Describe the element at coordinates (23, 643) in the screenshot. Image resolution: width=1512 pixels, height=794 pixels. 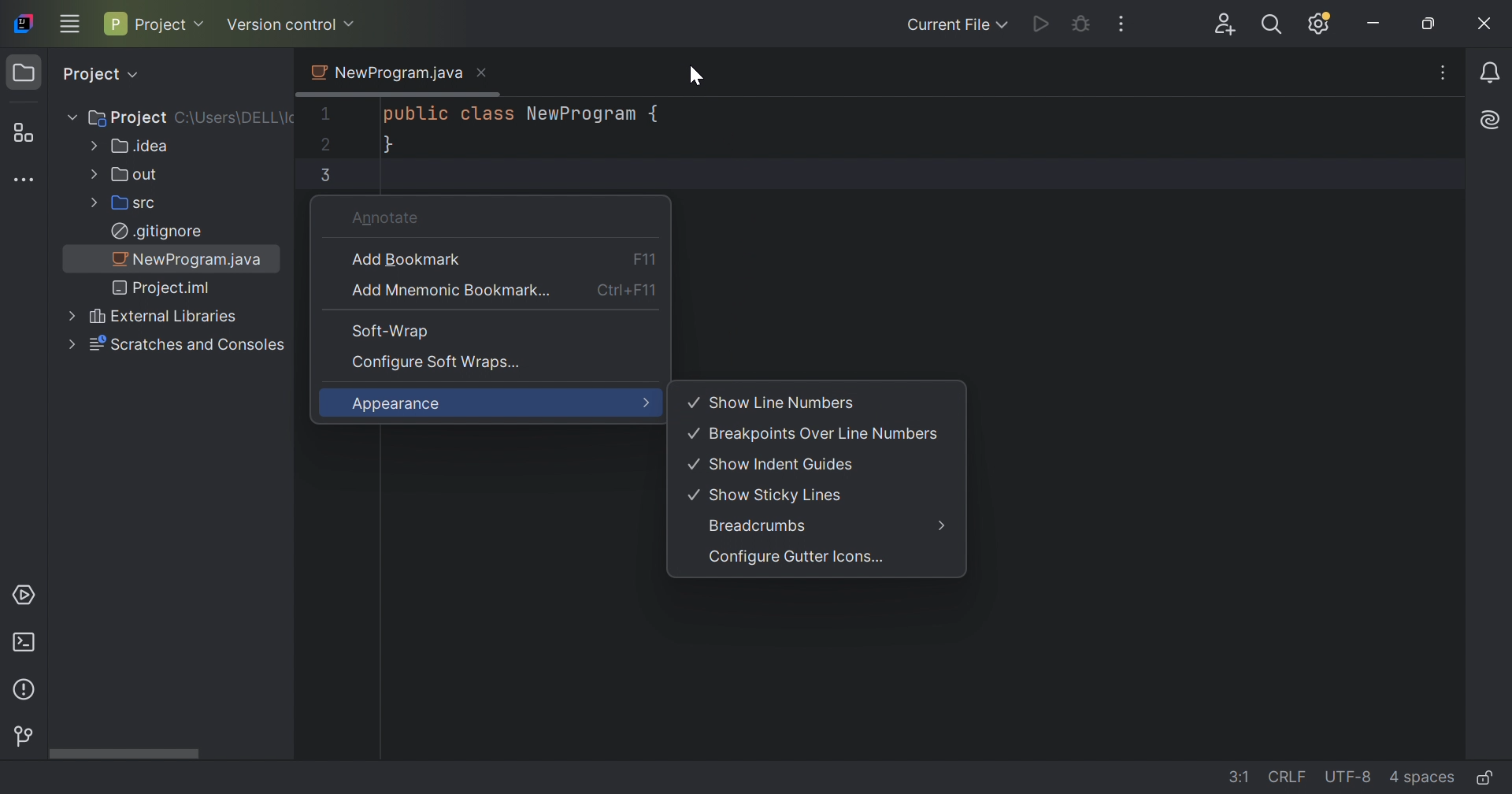
I see `Terminal` at that location.